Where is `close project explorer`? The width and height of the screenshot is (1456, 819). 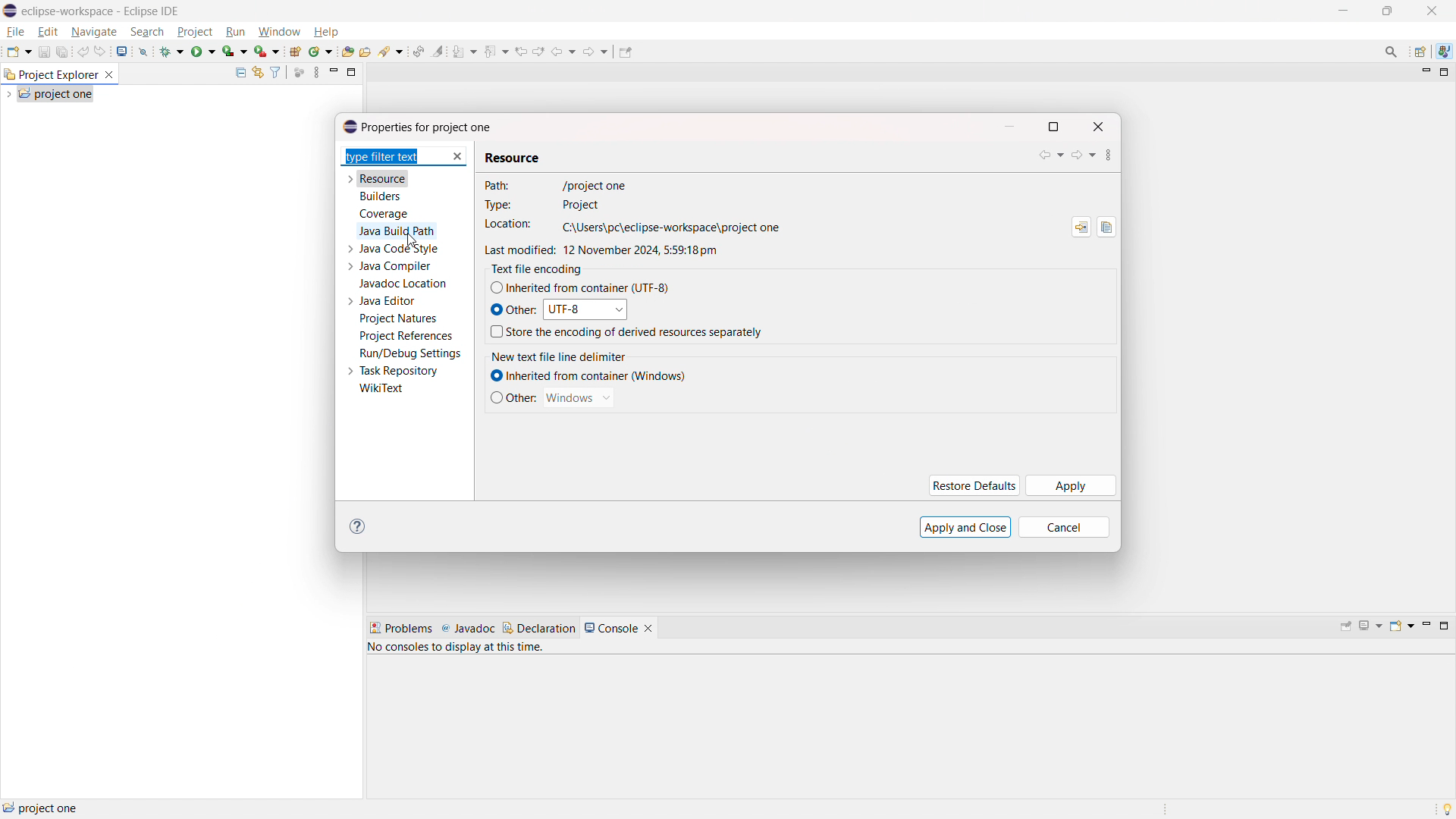 close project explorer is located at coordinates (109, 75).